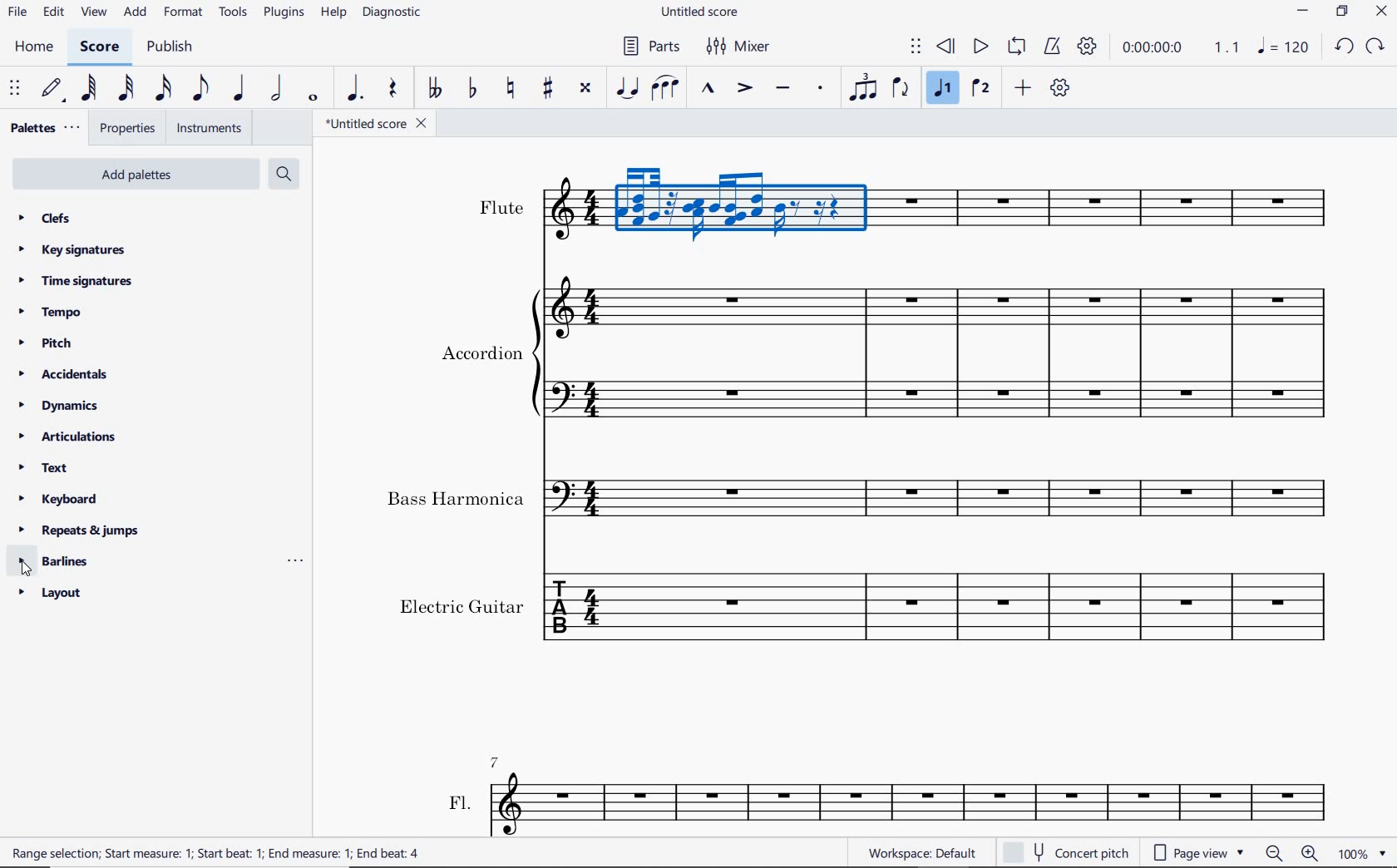  I want to click on text, so click(220, 855).